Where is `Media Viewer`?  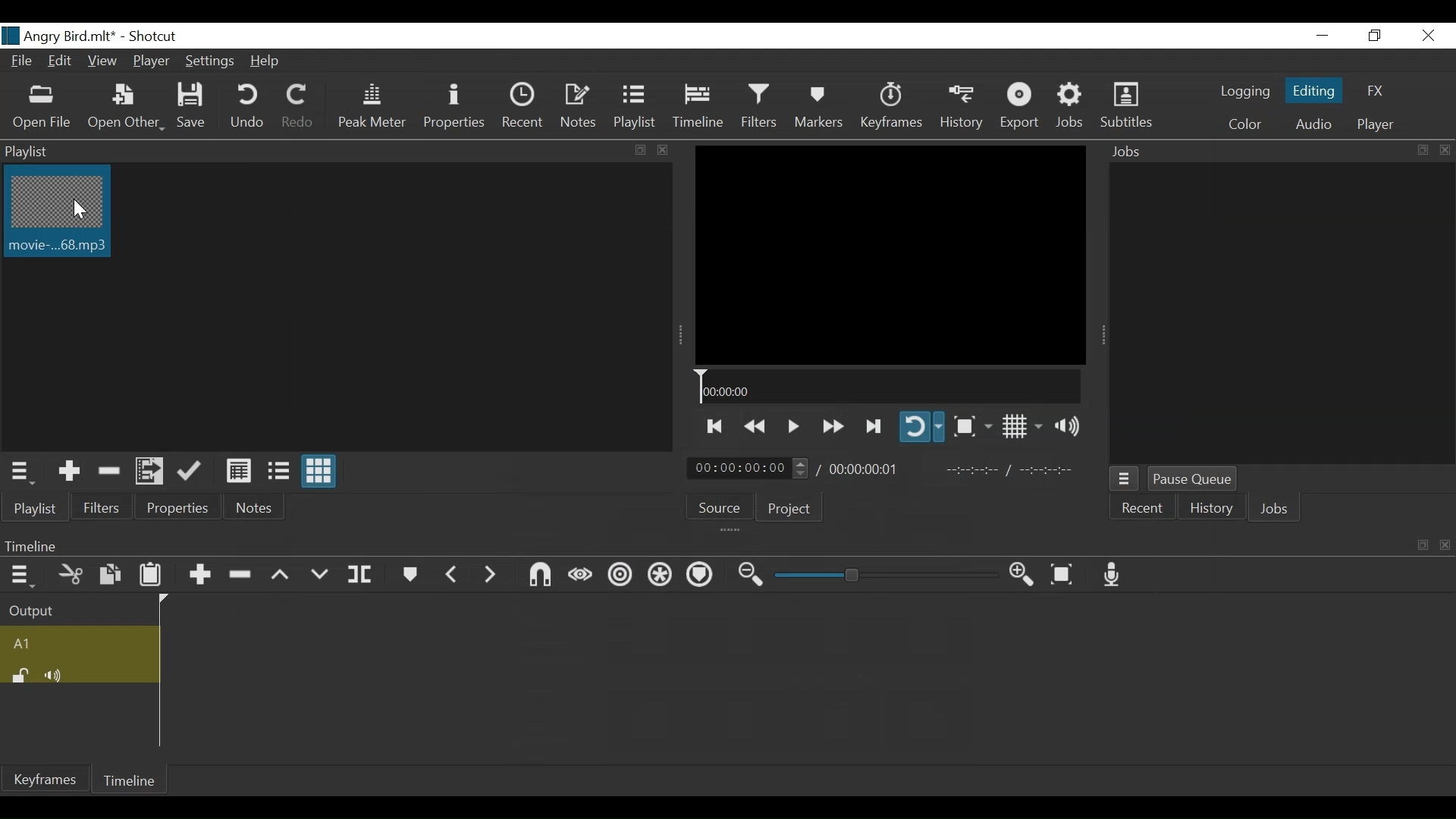
Media Viewer is located at coordinates (890, 255).